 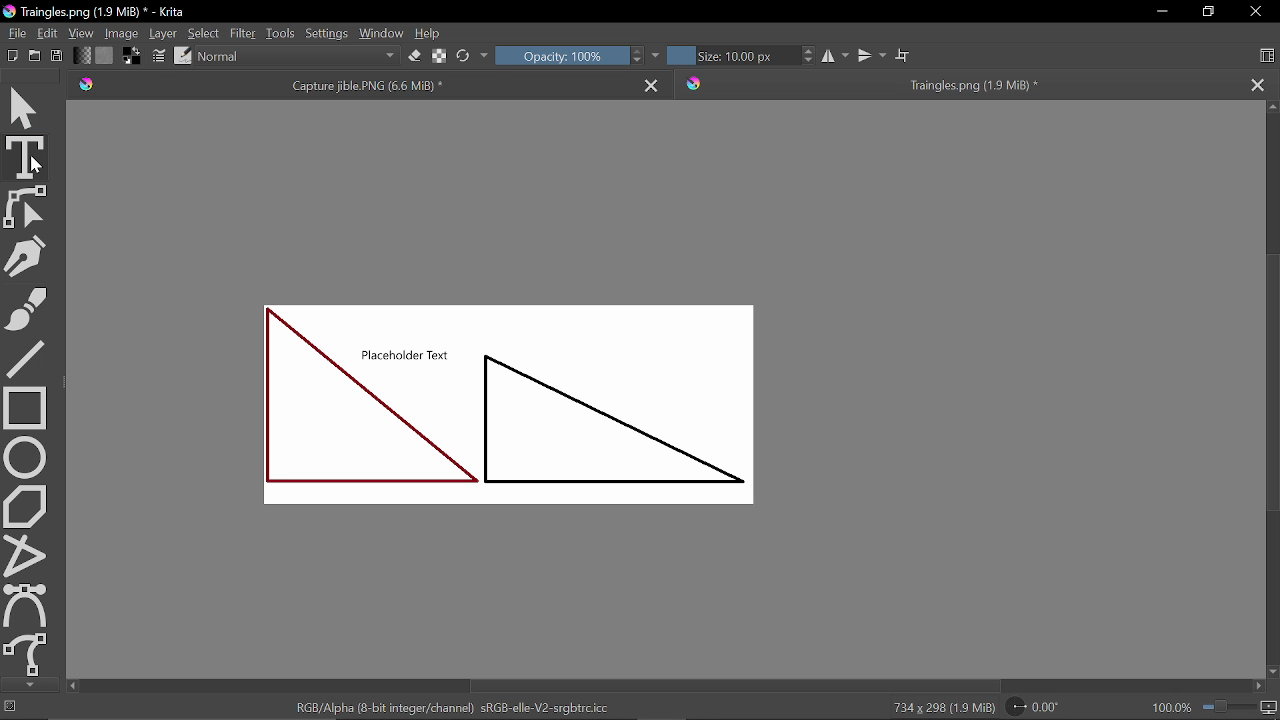 I want to click on Settings, so click(x=326, y=33).